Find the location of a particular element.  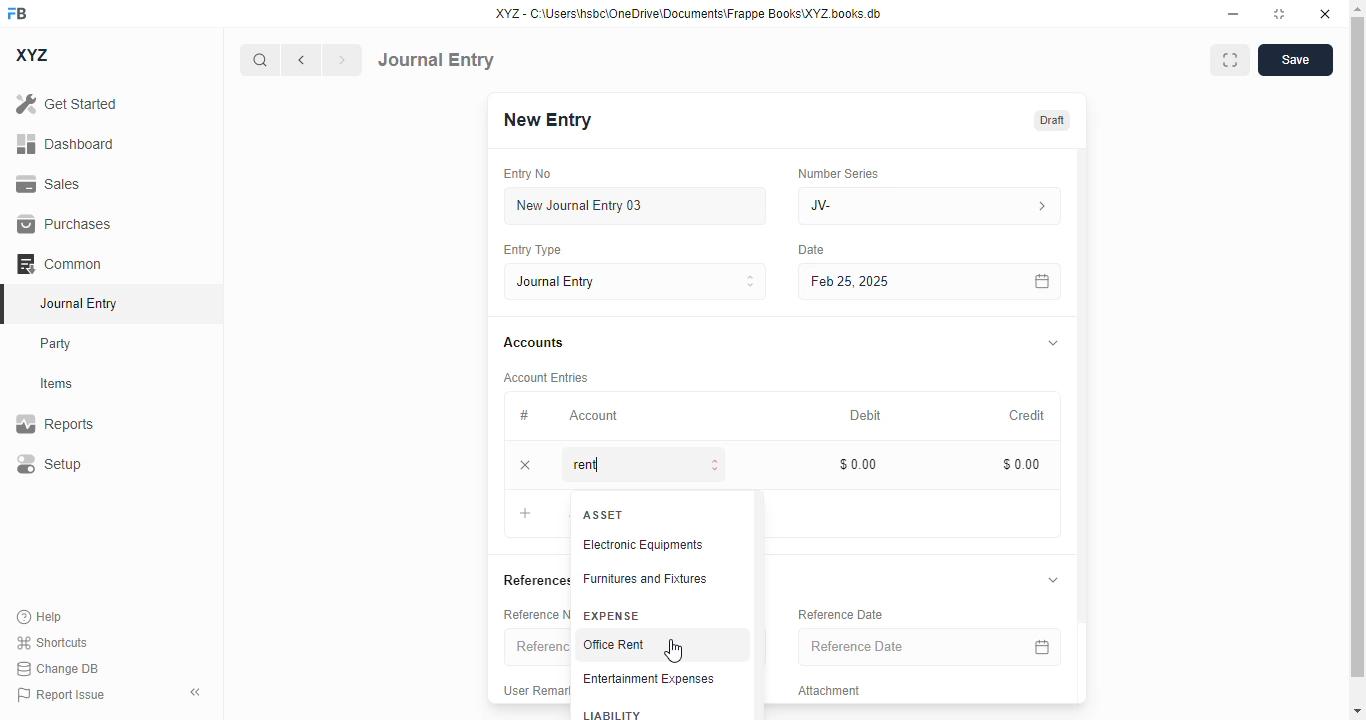

scroll bar is located at coordinates (1084, 424).